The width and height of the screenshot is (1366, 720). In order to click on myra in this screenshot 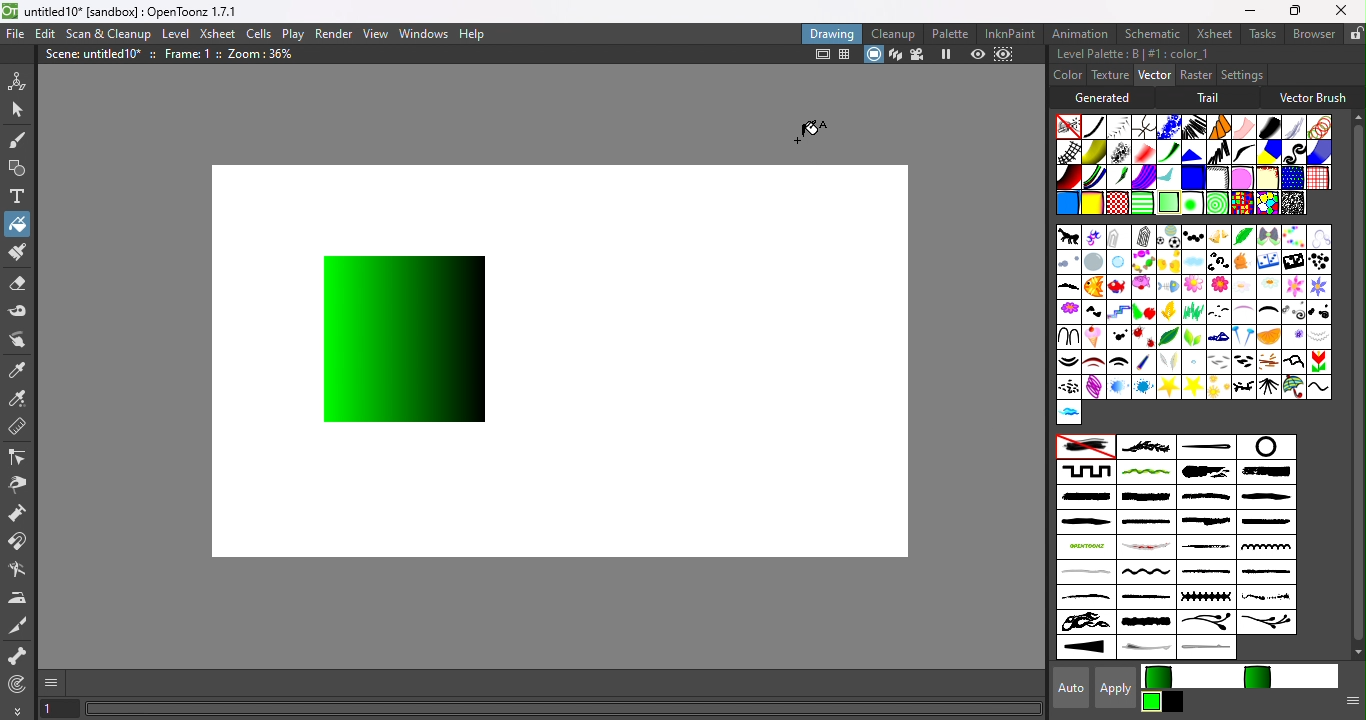, I will do `click(1218, 336)`.